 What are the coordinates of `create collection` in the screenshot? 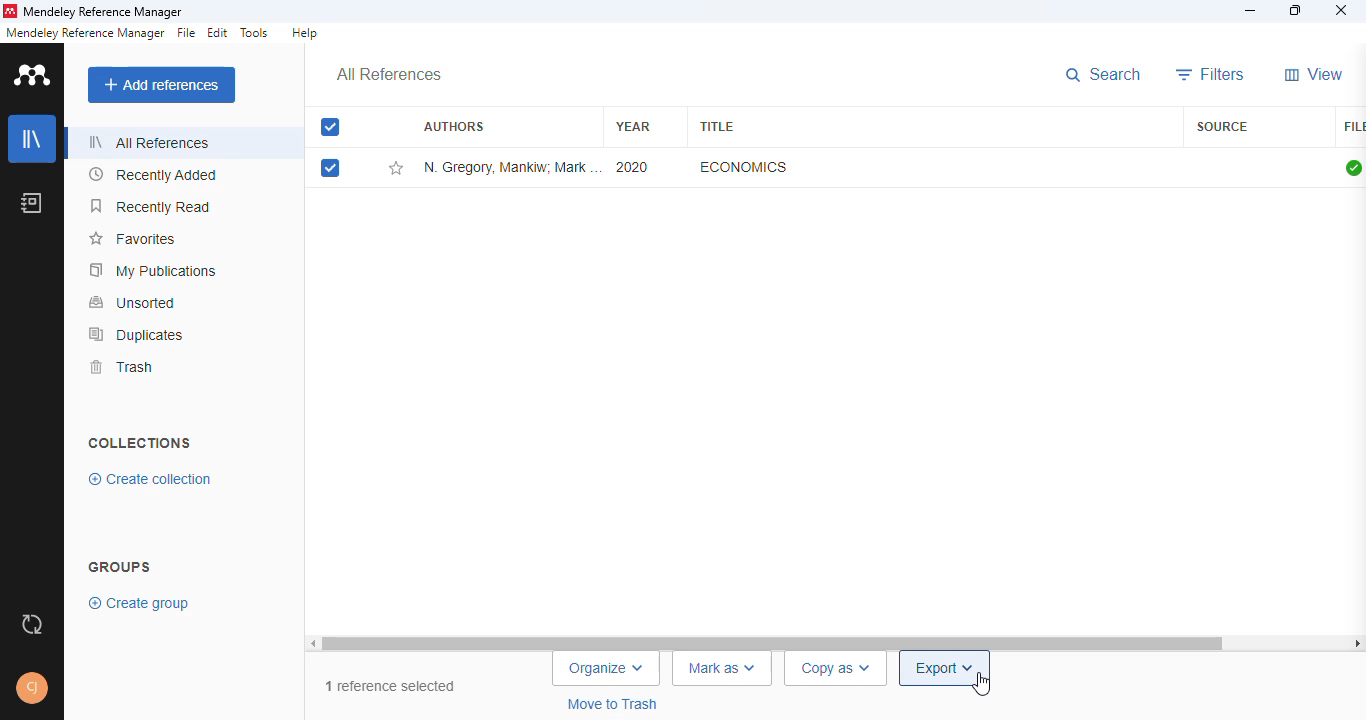 It's located at (151, 479).